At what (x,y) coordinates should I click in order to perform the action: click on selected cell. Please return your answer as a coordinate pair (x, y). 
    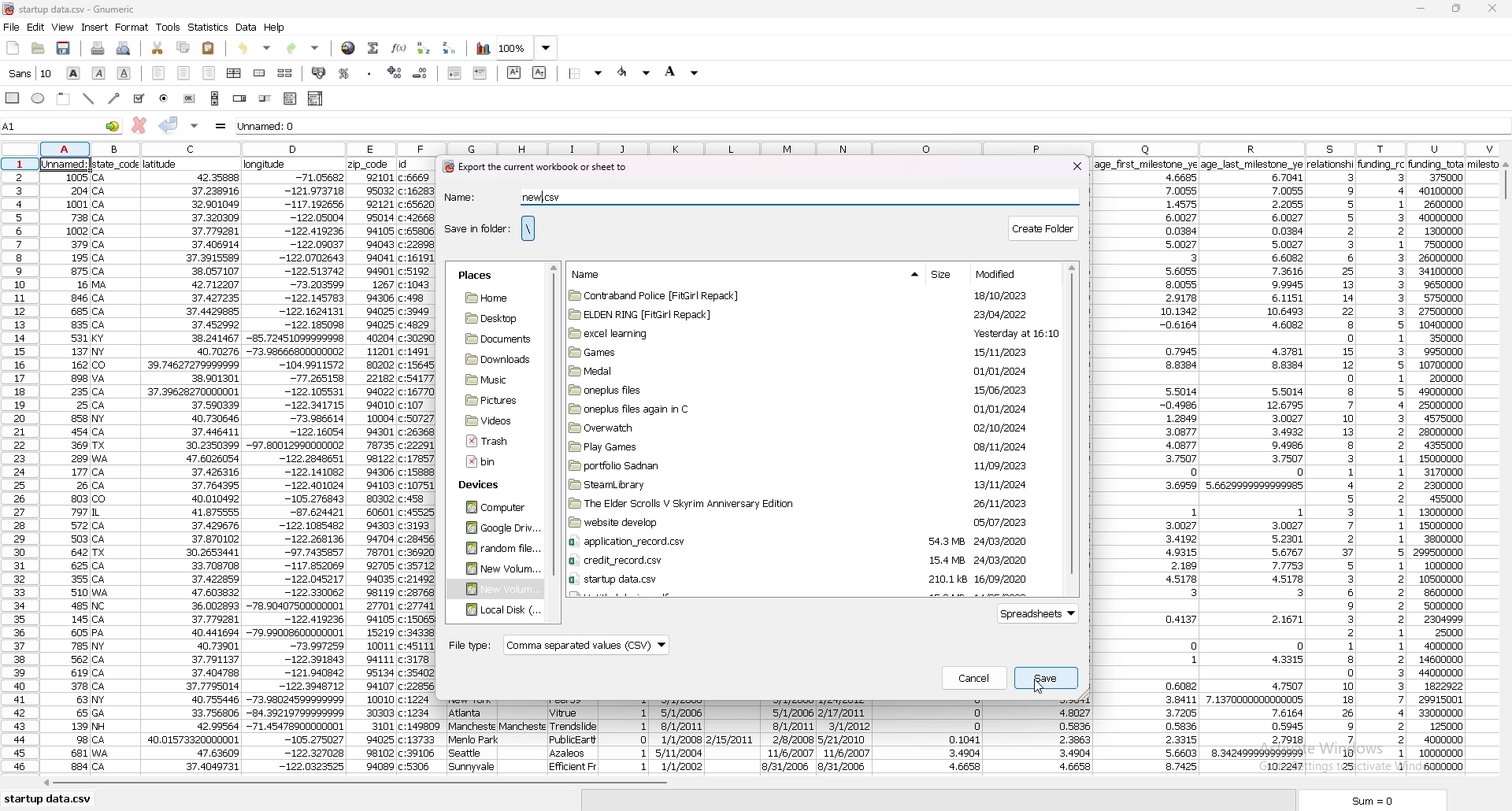
    Looking at the image, I should click on (68, 162).